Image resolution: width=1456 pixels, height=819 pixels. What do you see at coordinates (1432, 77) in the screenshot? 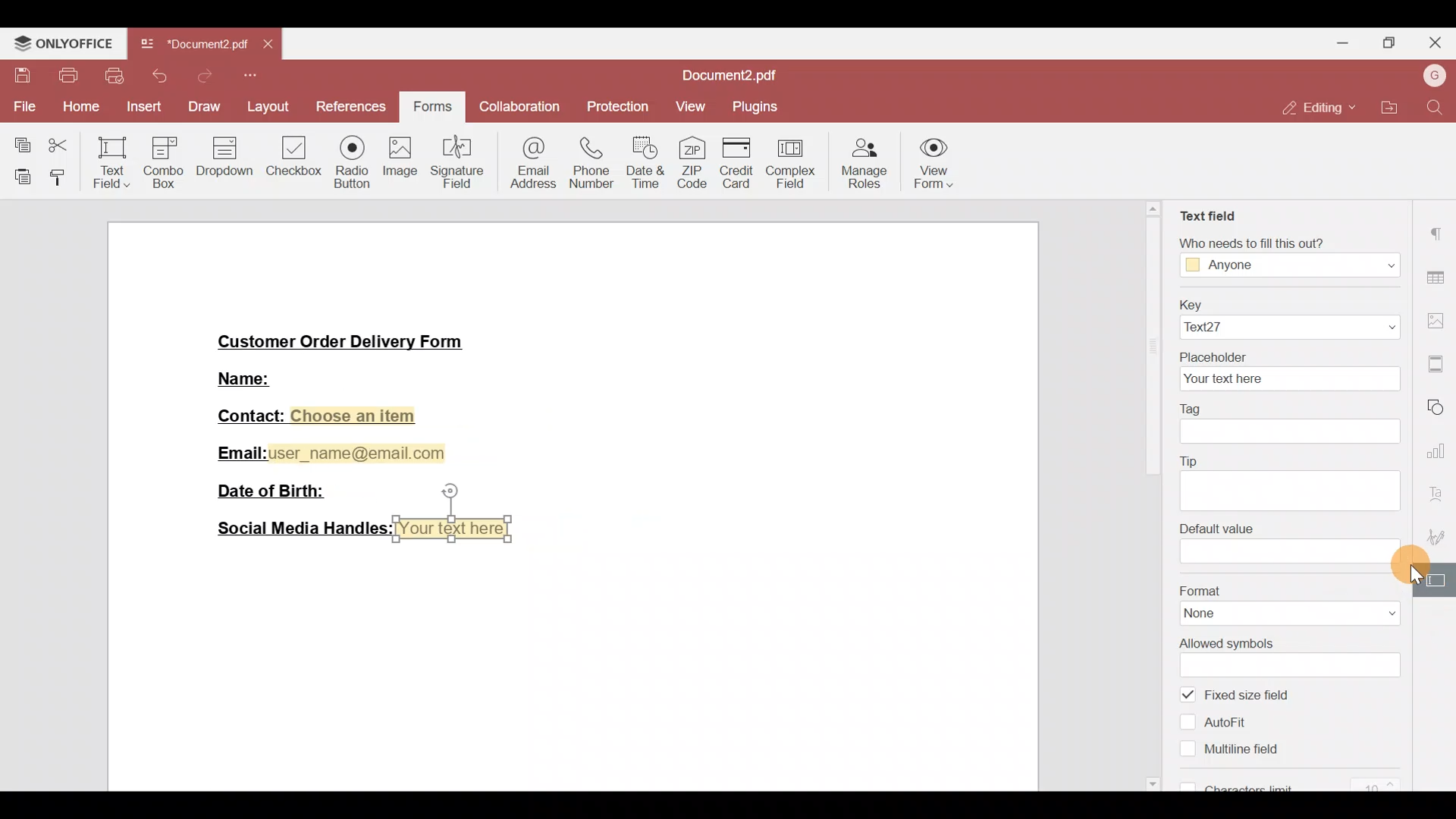
I see `Username` at bounding box center [1432, 77].